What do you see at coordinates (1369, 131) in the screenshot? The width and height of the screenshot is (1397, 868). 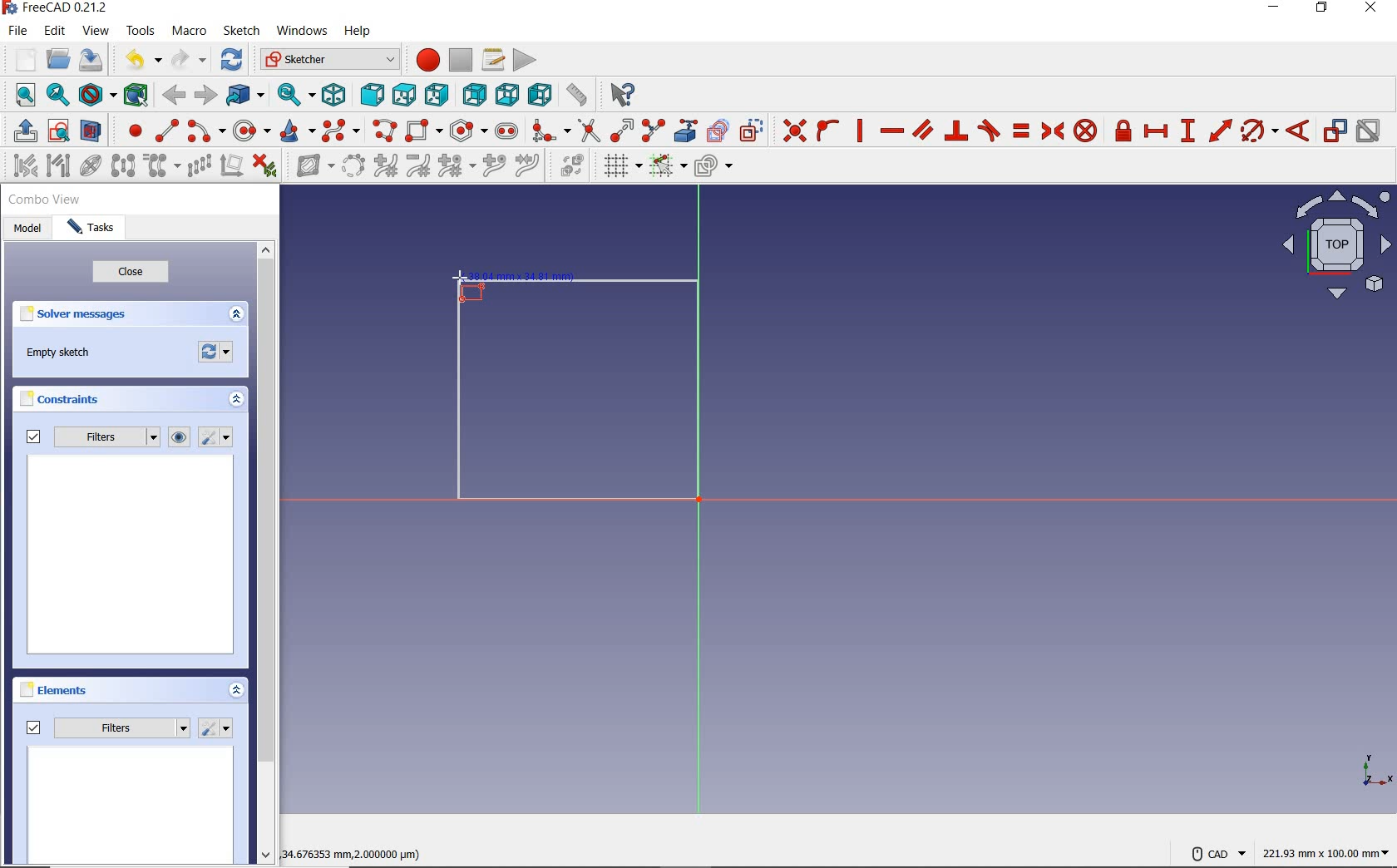 I see `activate or deactivate constraint` at bounding box center [1369, 131].